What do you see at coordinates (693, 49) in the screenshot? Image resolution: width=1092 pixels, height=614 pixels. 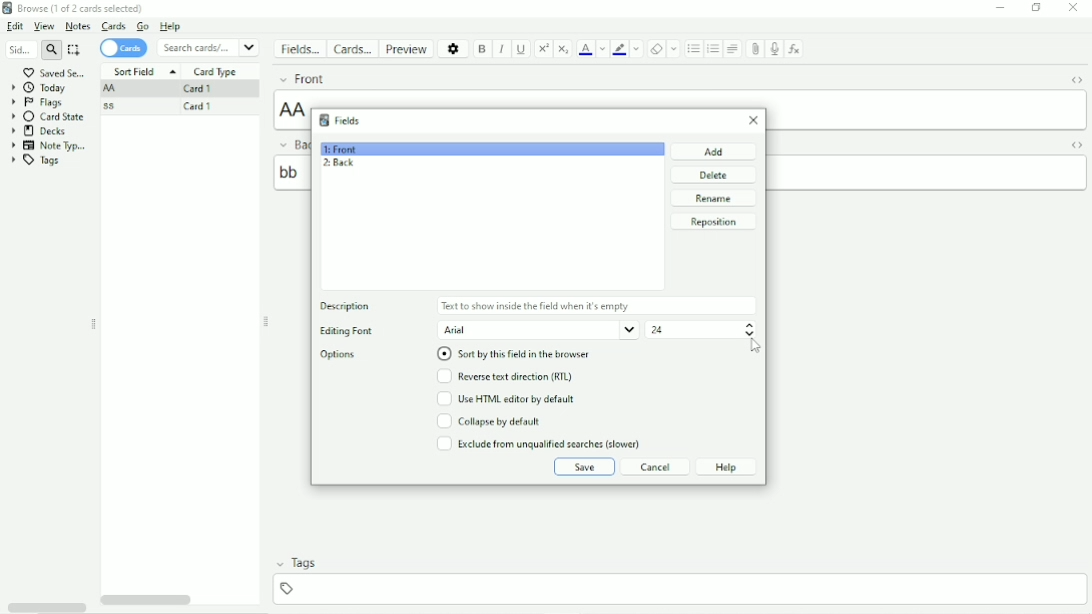 I see `Unordered list` at bounding box center [693, 49].